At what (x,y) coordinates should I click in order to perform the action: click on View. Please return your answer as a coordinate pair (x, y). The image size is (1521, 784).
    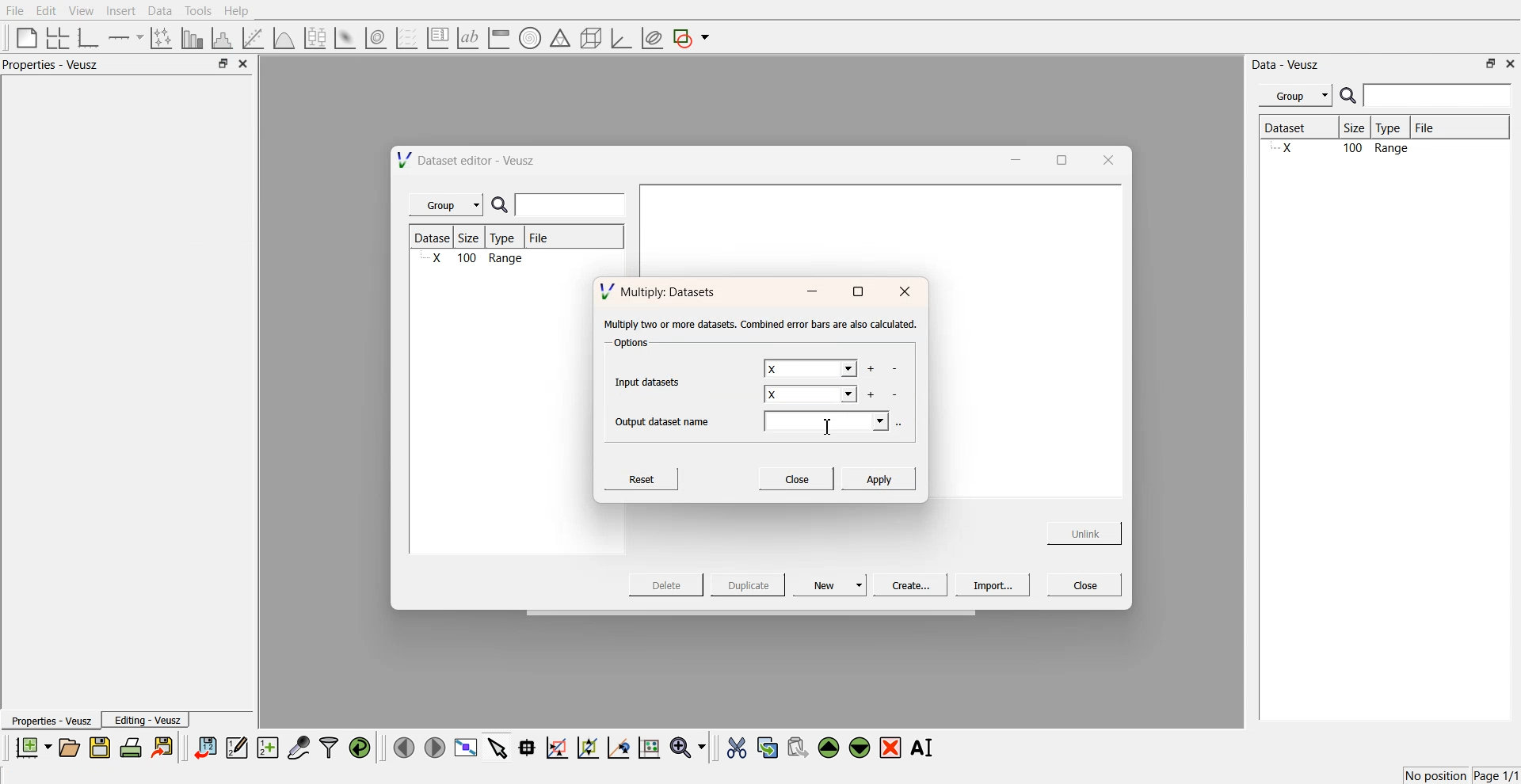
    Looking at the image, I should click on (80, 11).